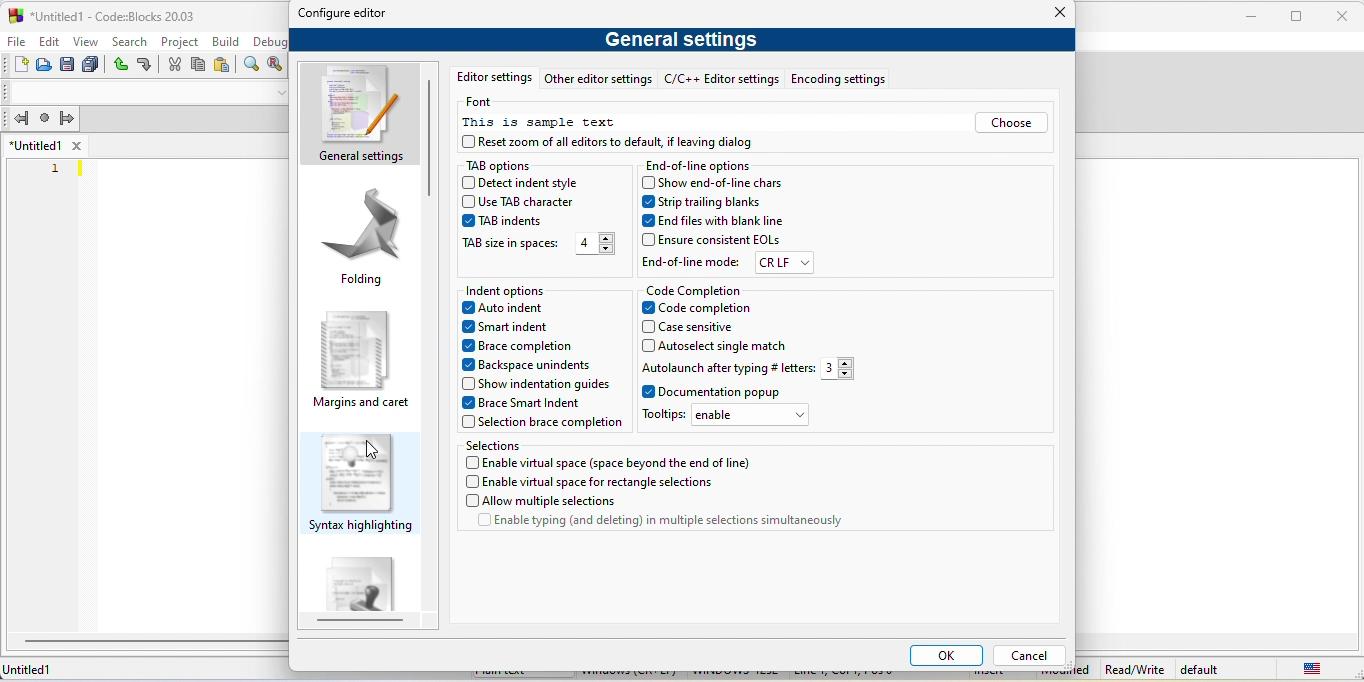 The height and width of the screenshot is (682, 1364). I want to click on documentation popup, so click(713, 392).